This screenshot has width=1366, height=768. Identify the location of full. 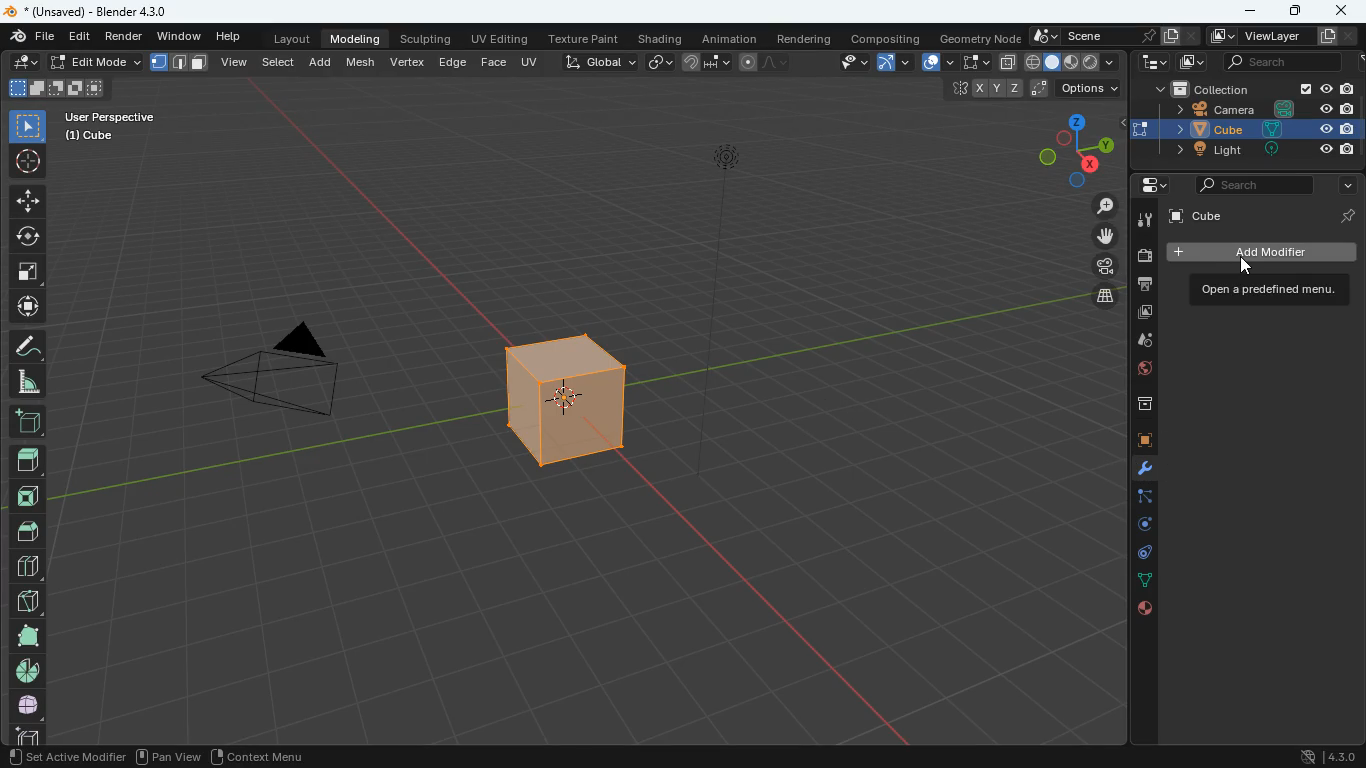
(30, 703).